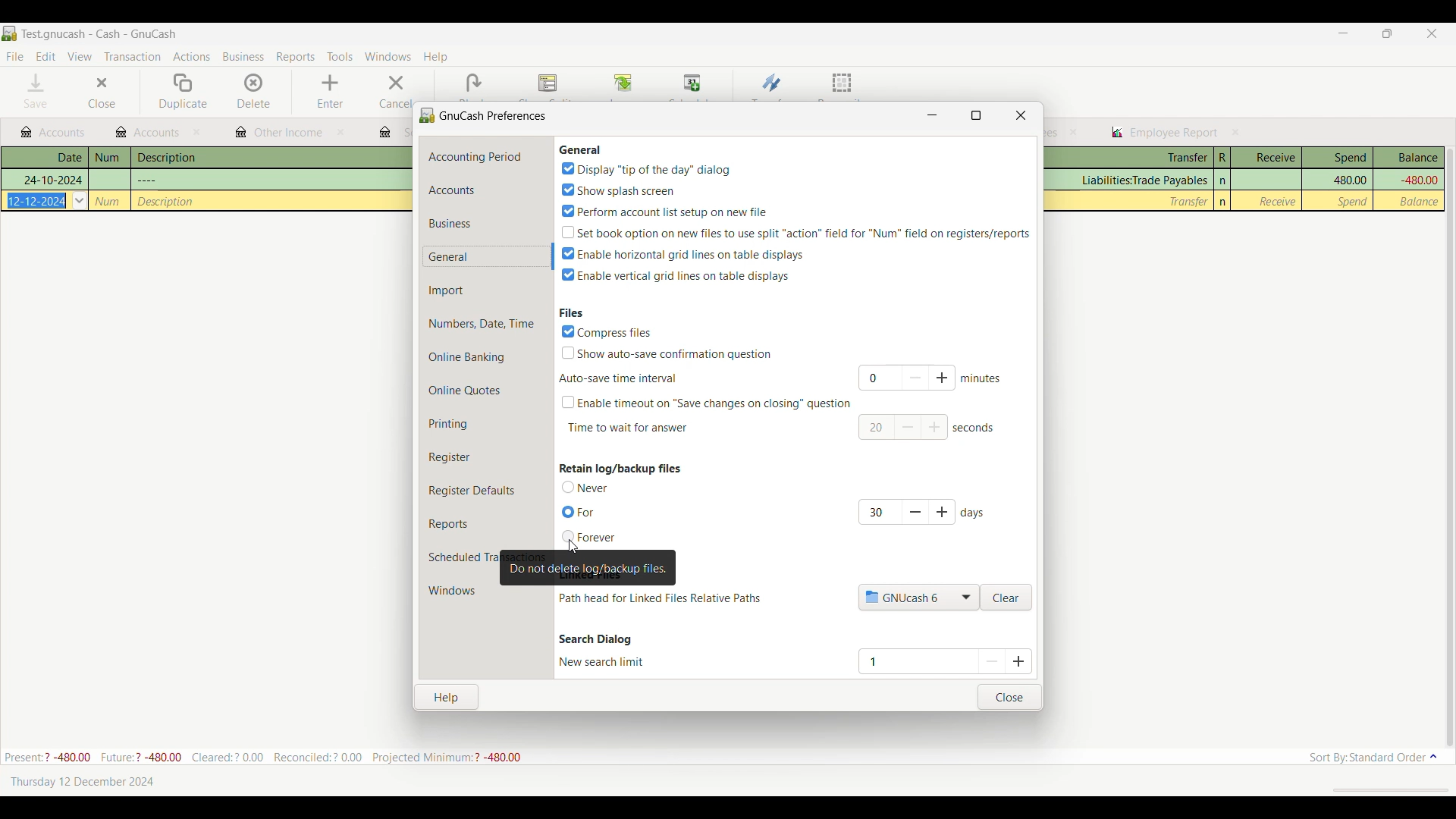  What do you see at coordinates (915, 512) in the screenshot?
I see `Subtract ` at bounding box center [915, 512].